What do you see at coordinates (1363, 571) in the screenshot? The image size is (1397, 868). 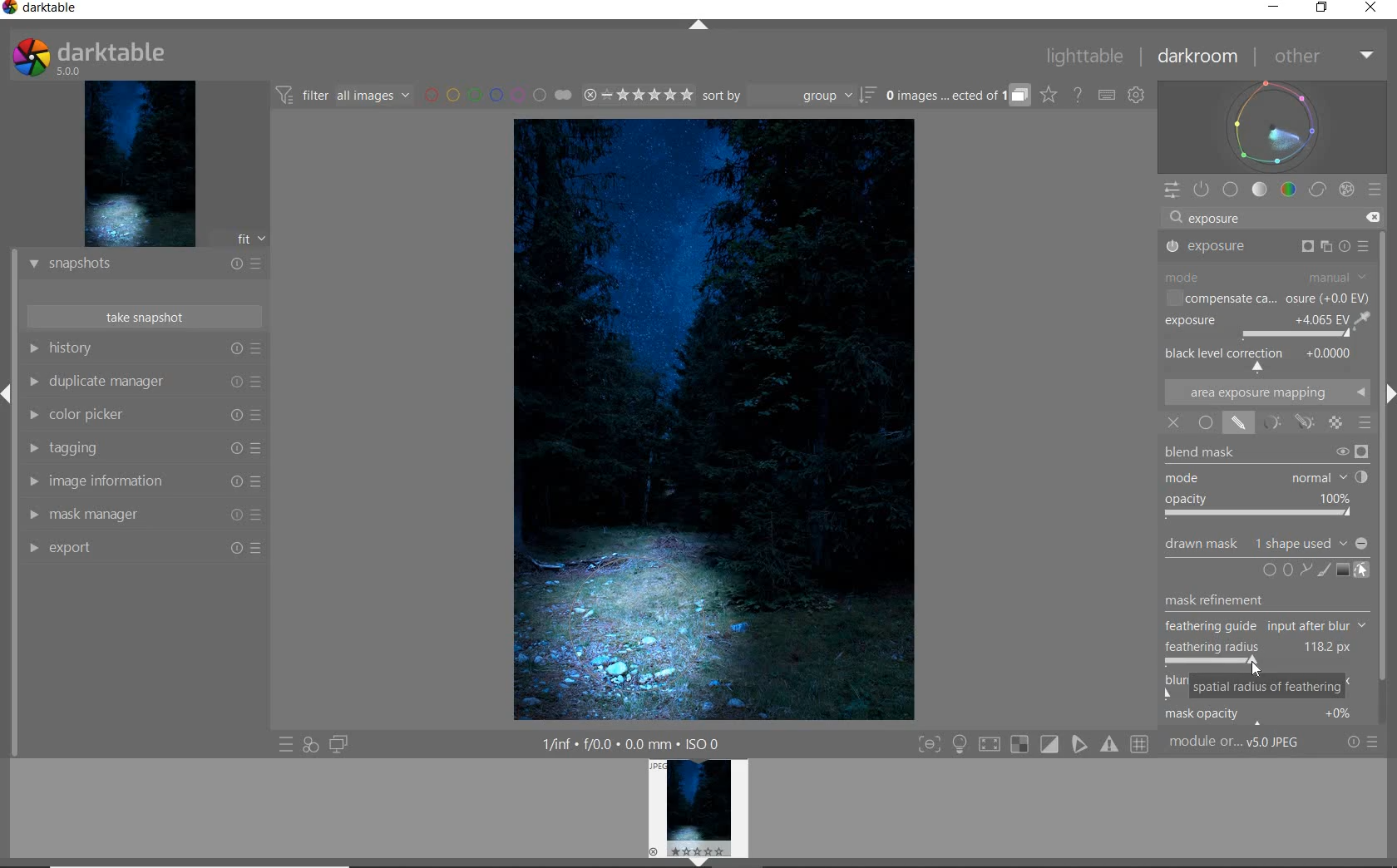 I see `SHOW & EDIT MASK ELEMENTS` at bounding box center [1363, 571].